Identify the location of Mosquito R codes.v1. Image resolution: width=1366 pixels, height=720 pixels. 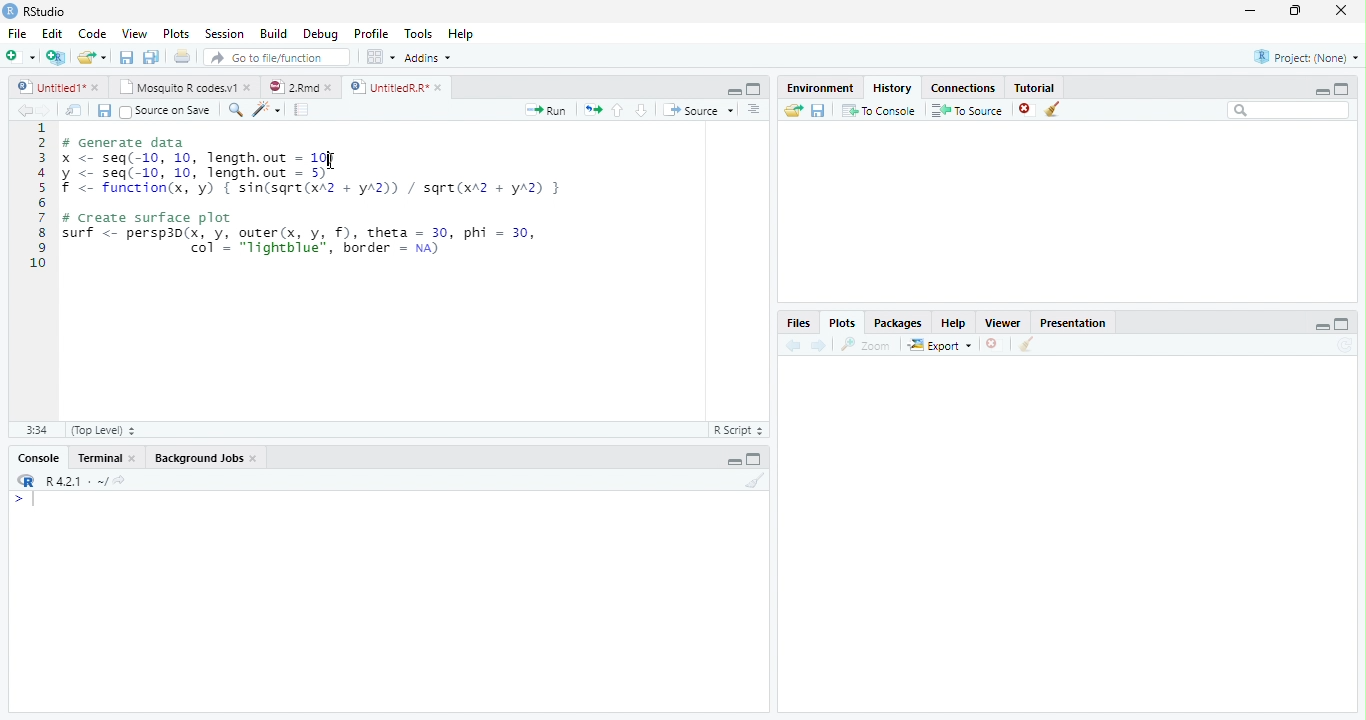
(175, 87).